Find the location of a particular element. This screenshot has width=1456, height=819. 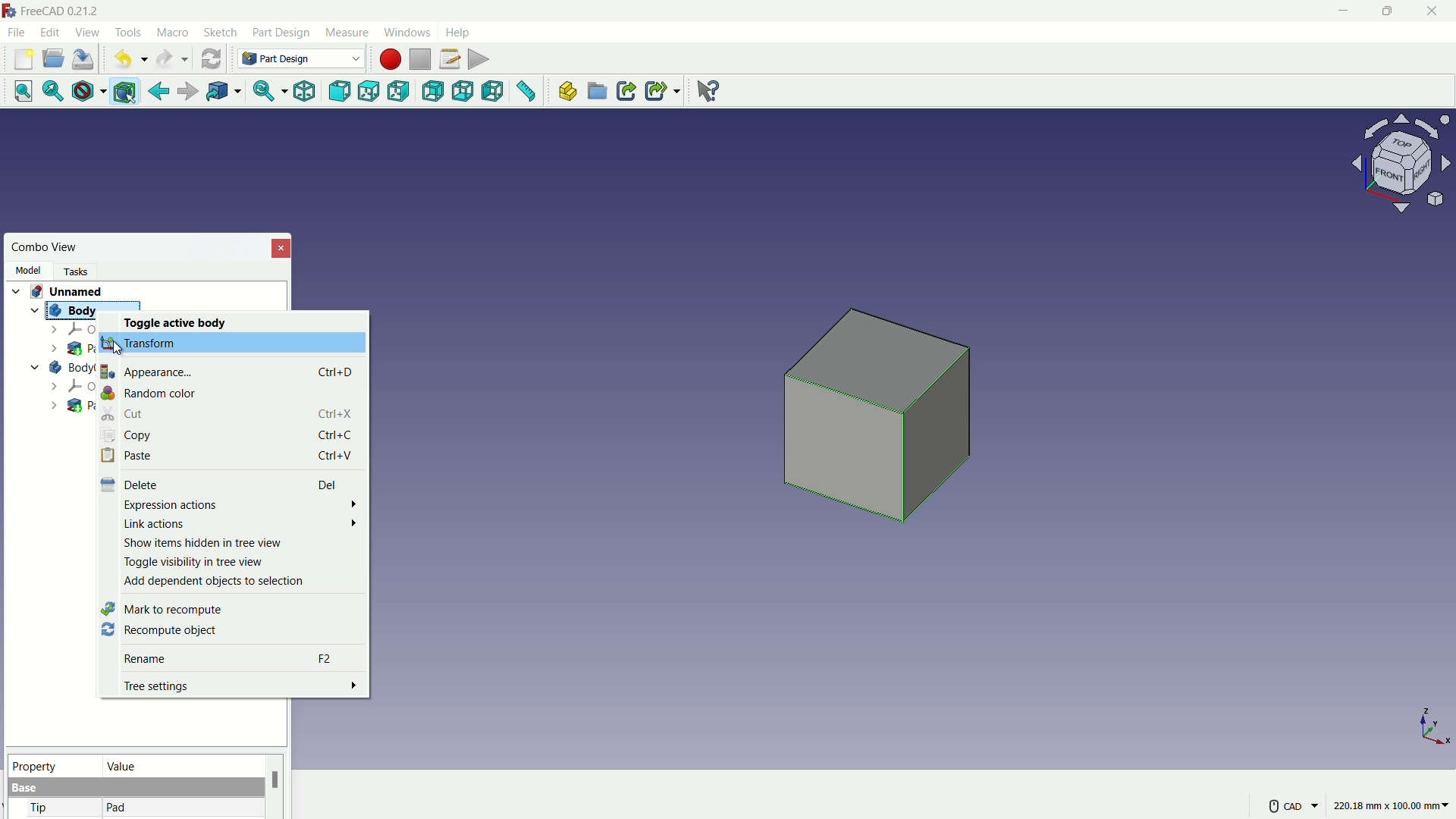

redo is located at coordinates (172, 59).